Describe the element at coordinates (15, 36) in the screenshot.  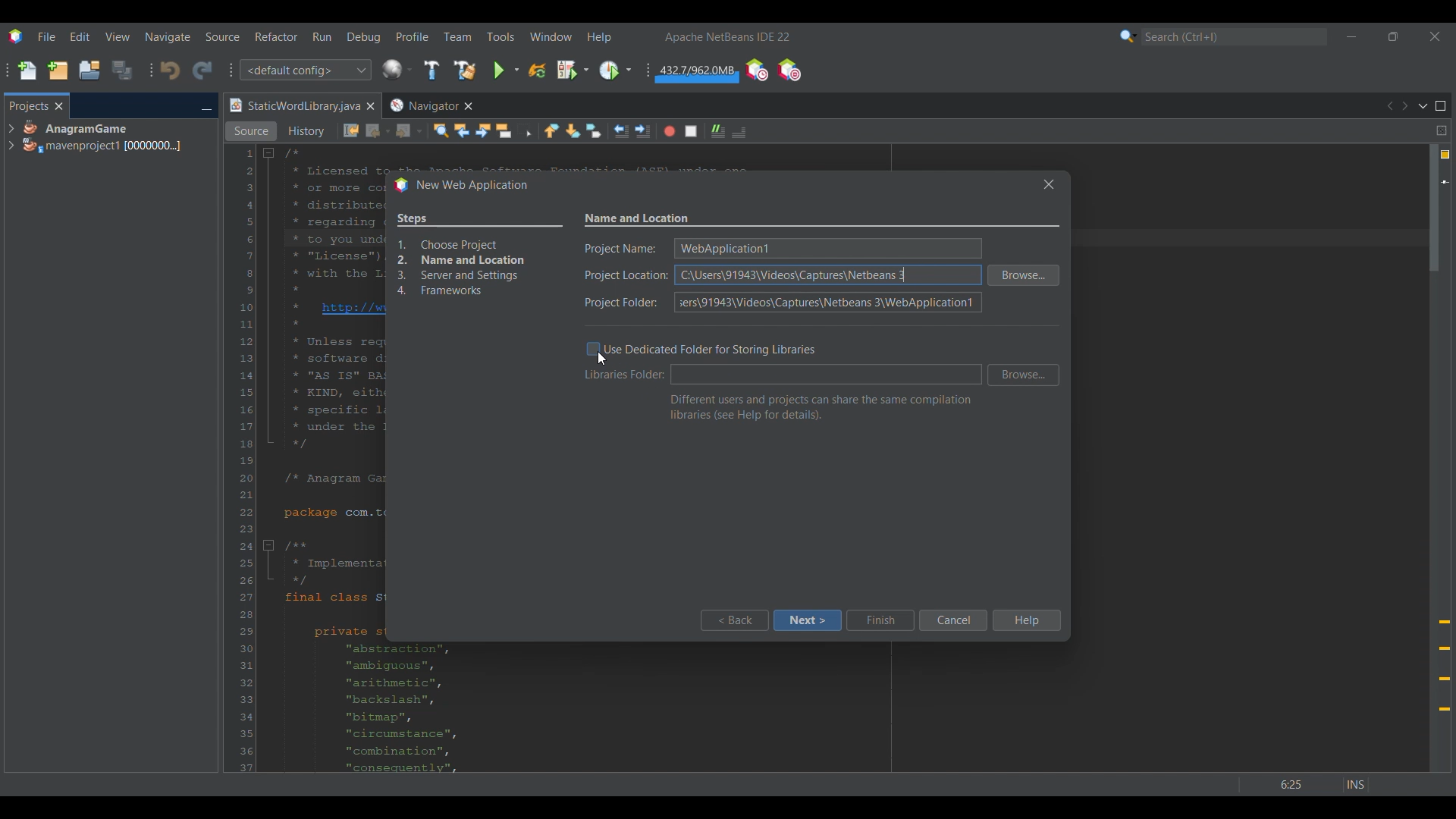
I see `Software logo` at that location.